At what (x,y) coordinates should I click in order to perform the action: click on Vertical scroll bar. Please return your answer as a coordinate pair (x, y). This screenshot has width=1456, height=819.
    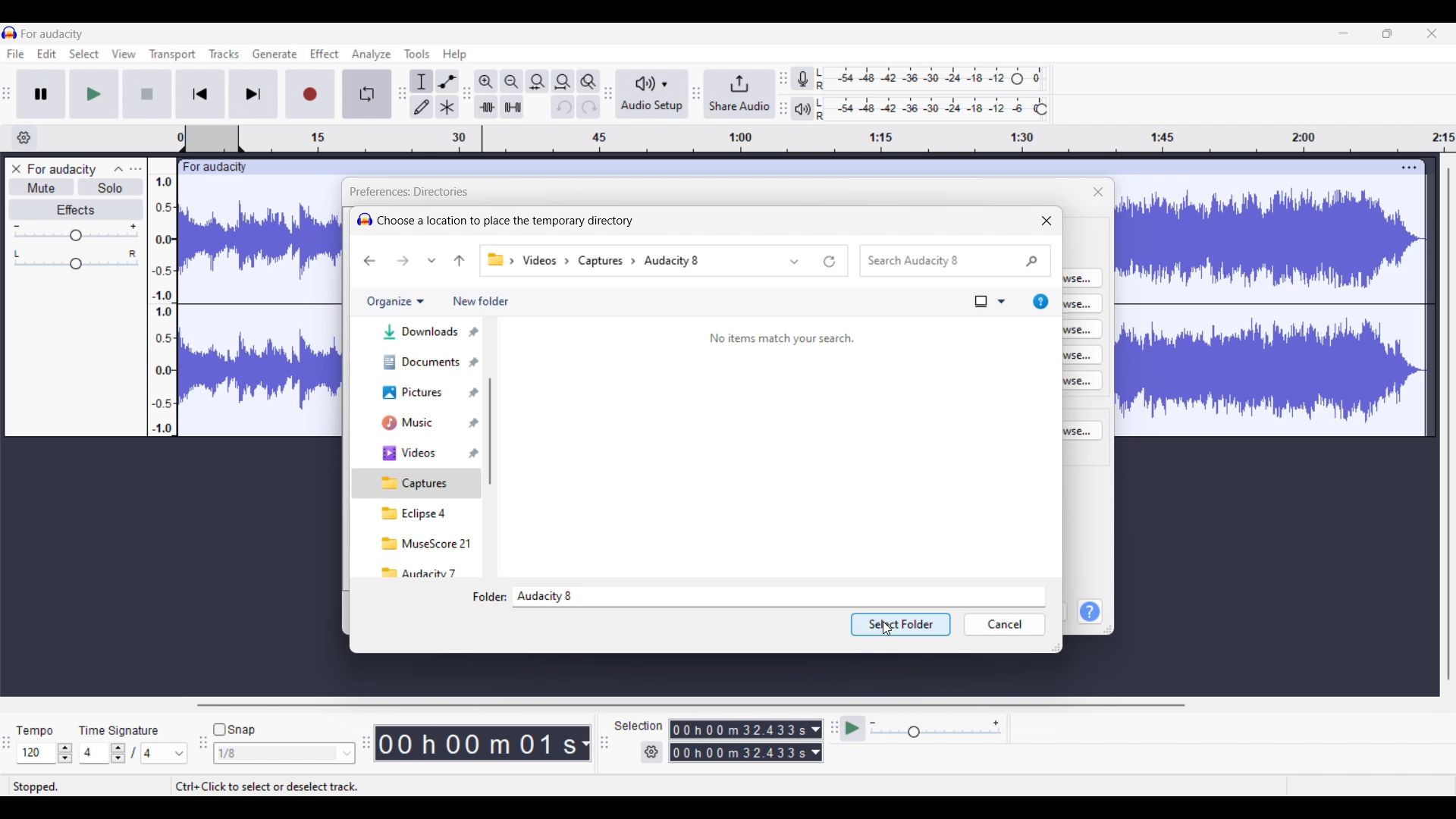
    Looking at the image, I should click on (1449, 424).